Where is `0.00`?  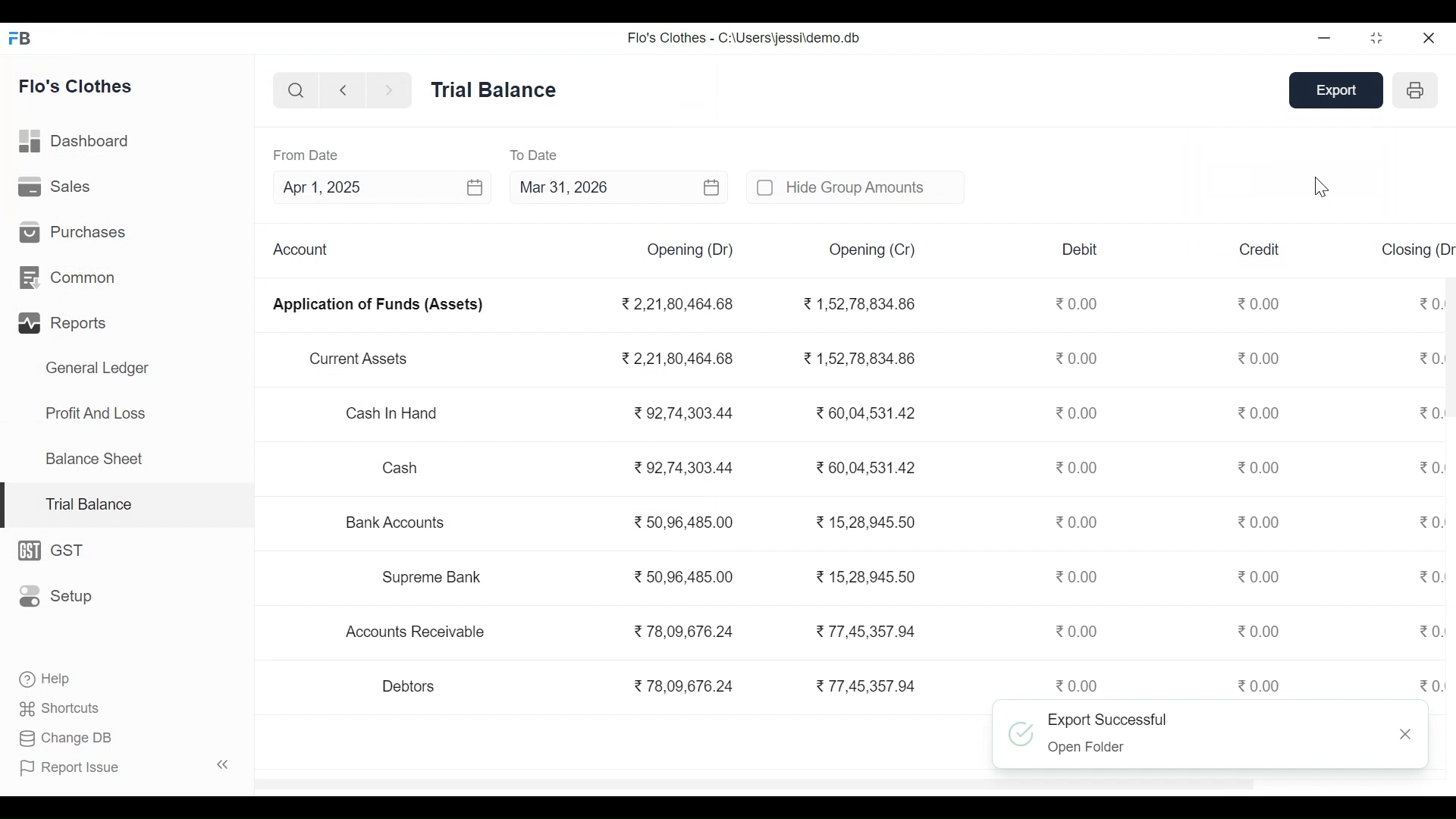 0.00 is located at coordinates (1260, 521).